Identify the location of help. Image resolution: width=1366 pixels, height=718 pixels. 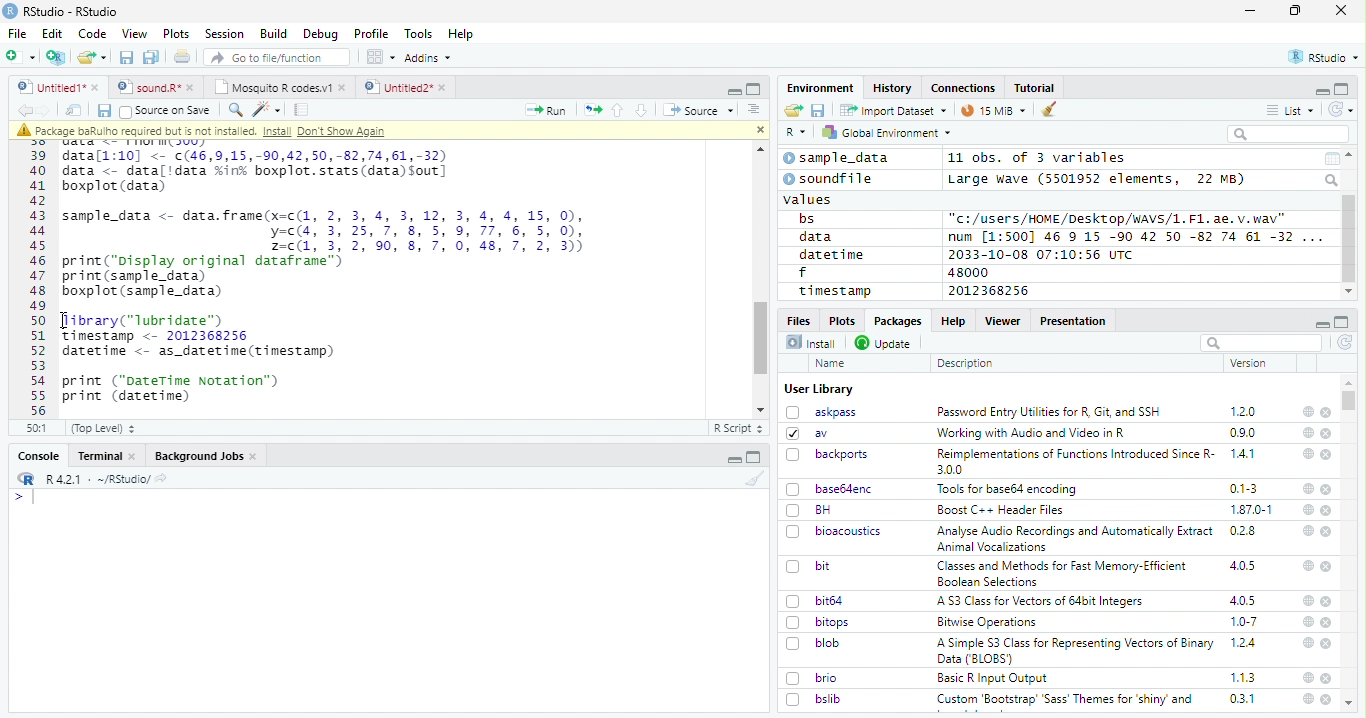
(1308, 432).